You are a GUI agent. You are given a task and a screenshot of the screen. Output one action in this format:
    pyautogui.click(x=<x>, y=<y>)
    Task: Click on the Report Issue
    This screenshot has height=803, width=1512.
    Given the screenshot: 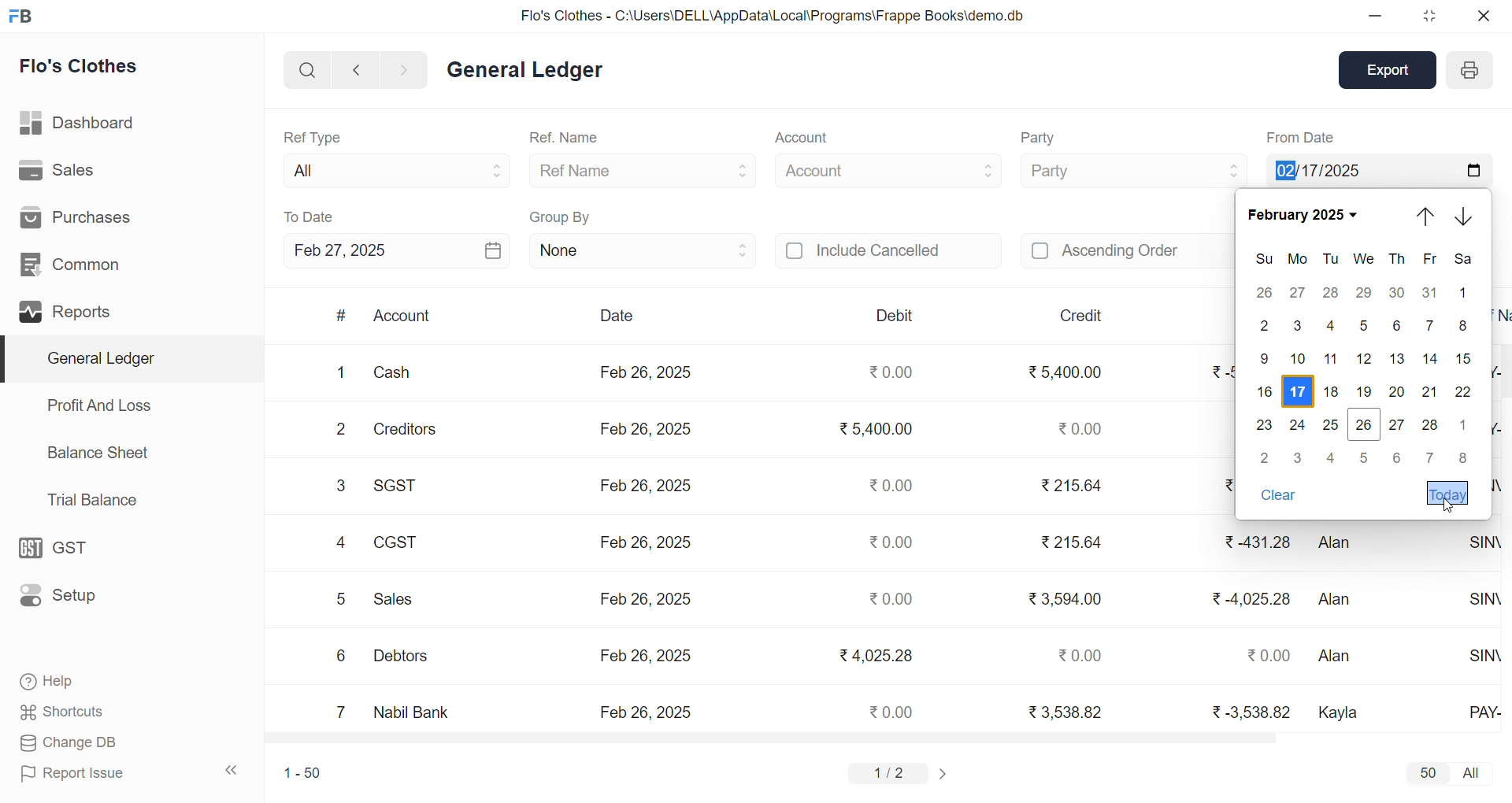 What is the action you would take?
    pyautogui.click(x=74, y=774)
    